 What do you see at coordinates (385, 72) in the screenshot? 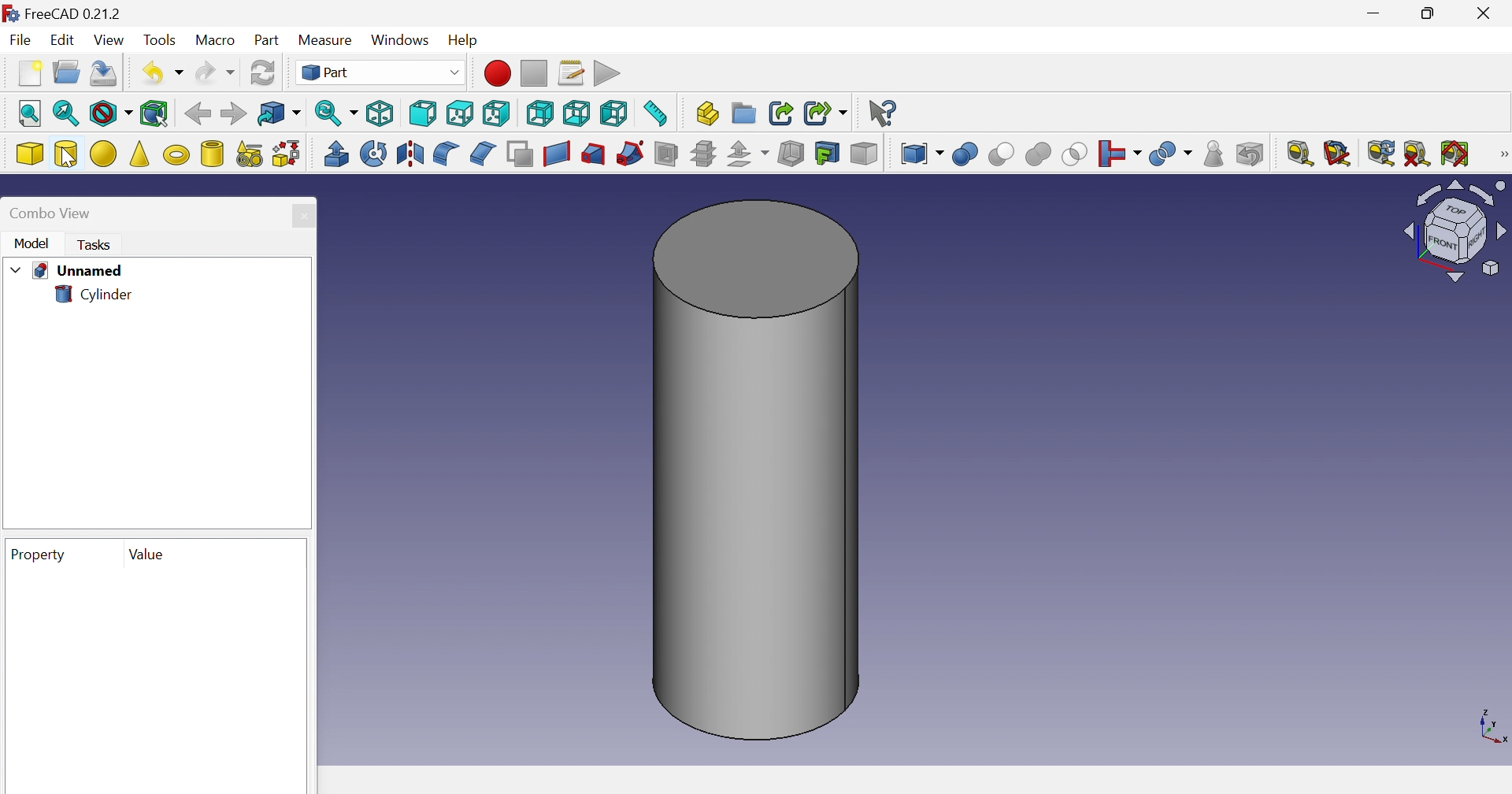
I see `Part` at bounding box center [385, 72].